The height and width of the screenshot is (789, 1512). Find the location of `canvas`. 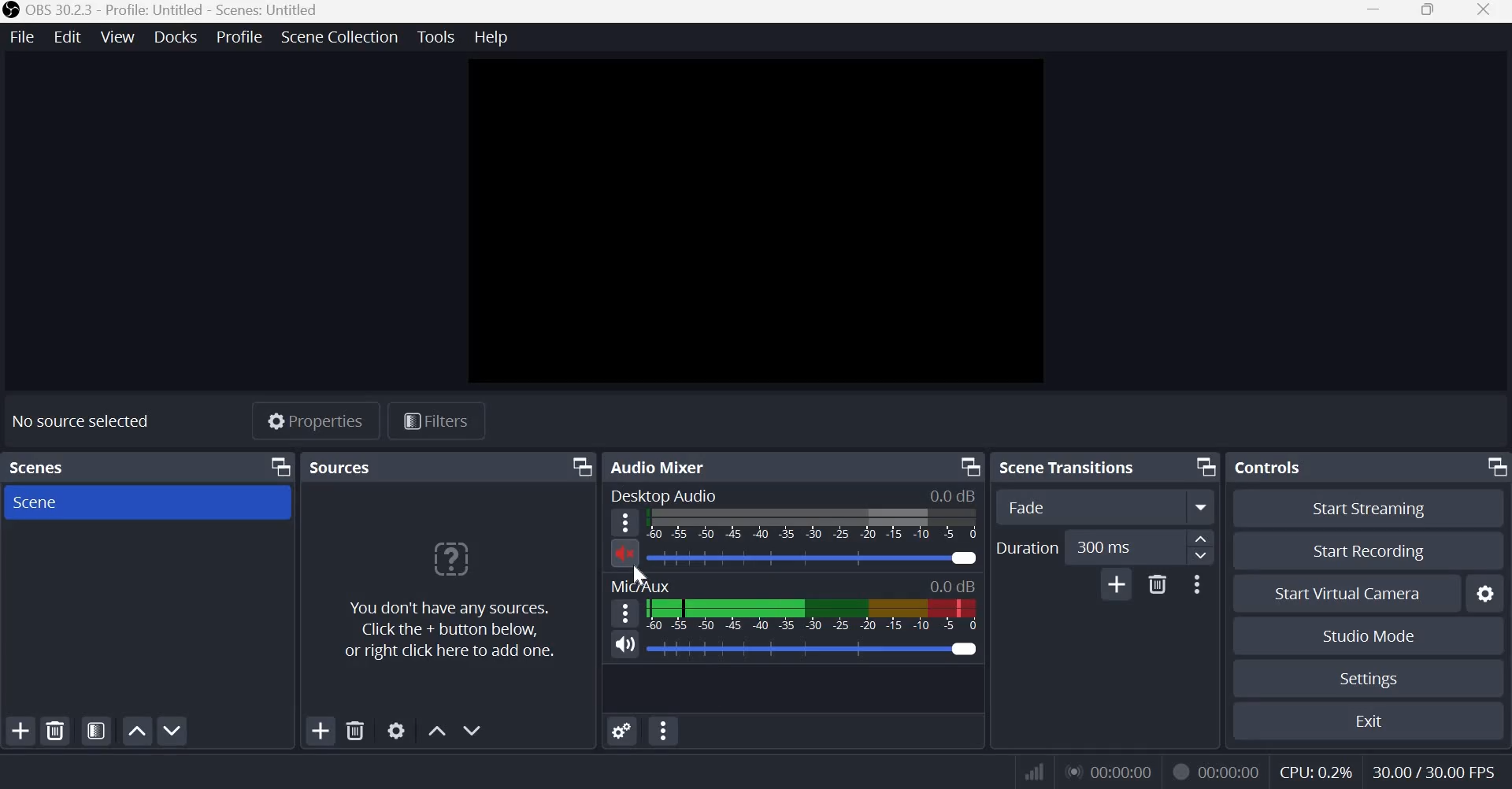

canvas is located at coordinates (750, 222).